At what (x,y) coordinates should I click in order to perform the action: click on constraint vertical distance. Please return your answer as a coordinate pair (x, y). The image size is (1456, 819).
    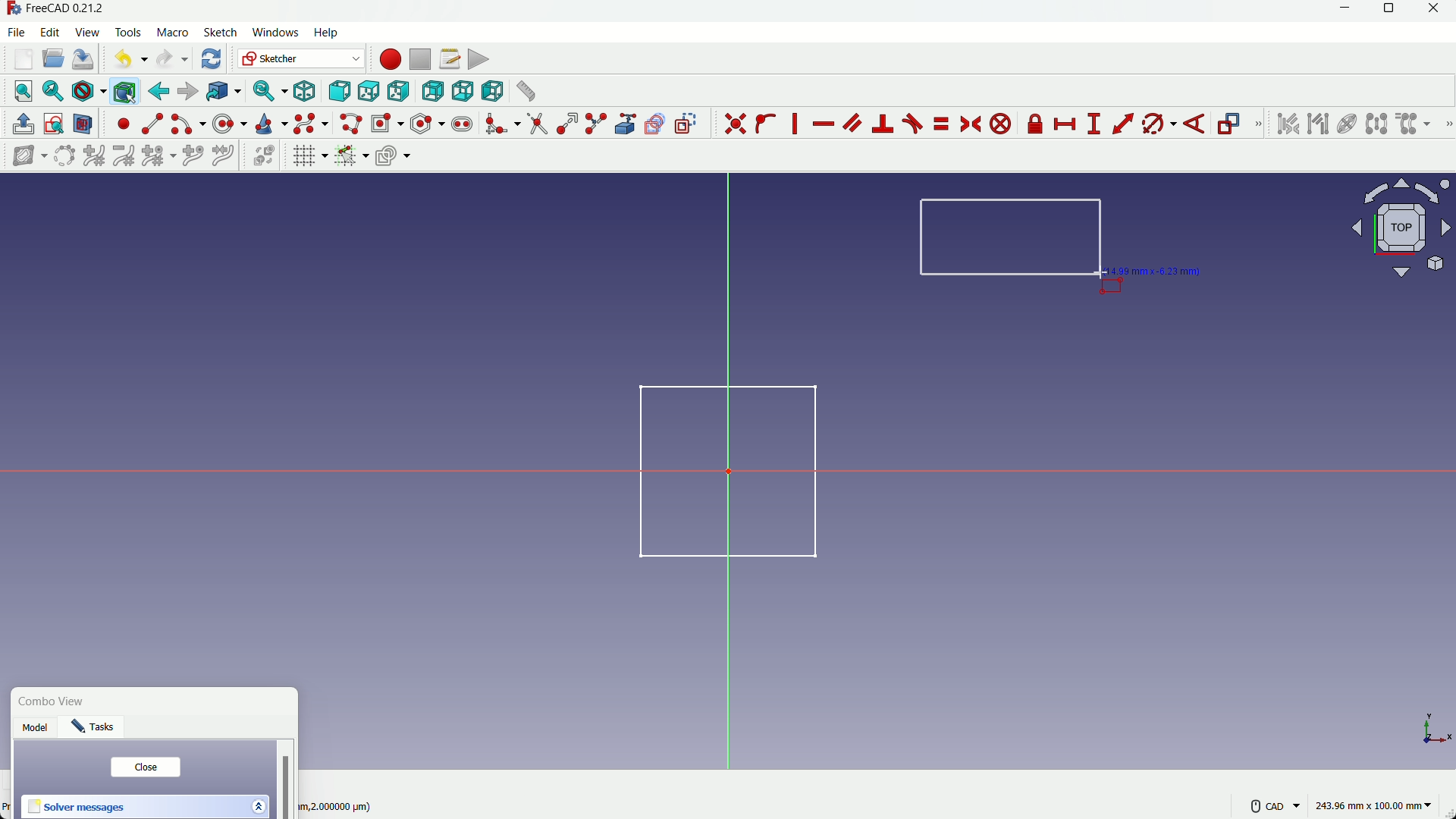
    Looking at the image, I should click on (1094, 124).